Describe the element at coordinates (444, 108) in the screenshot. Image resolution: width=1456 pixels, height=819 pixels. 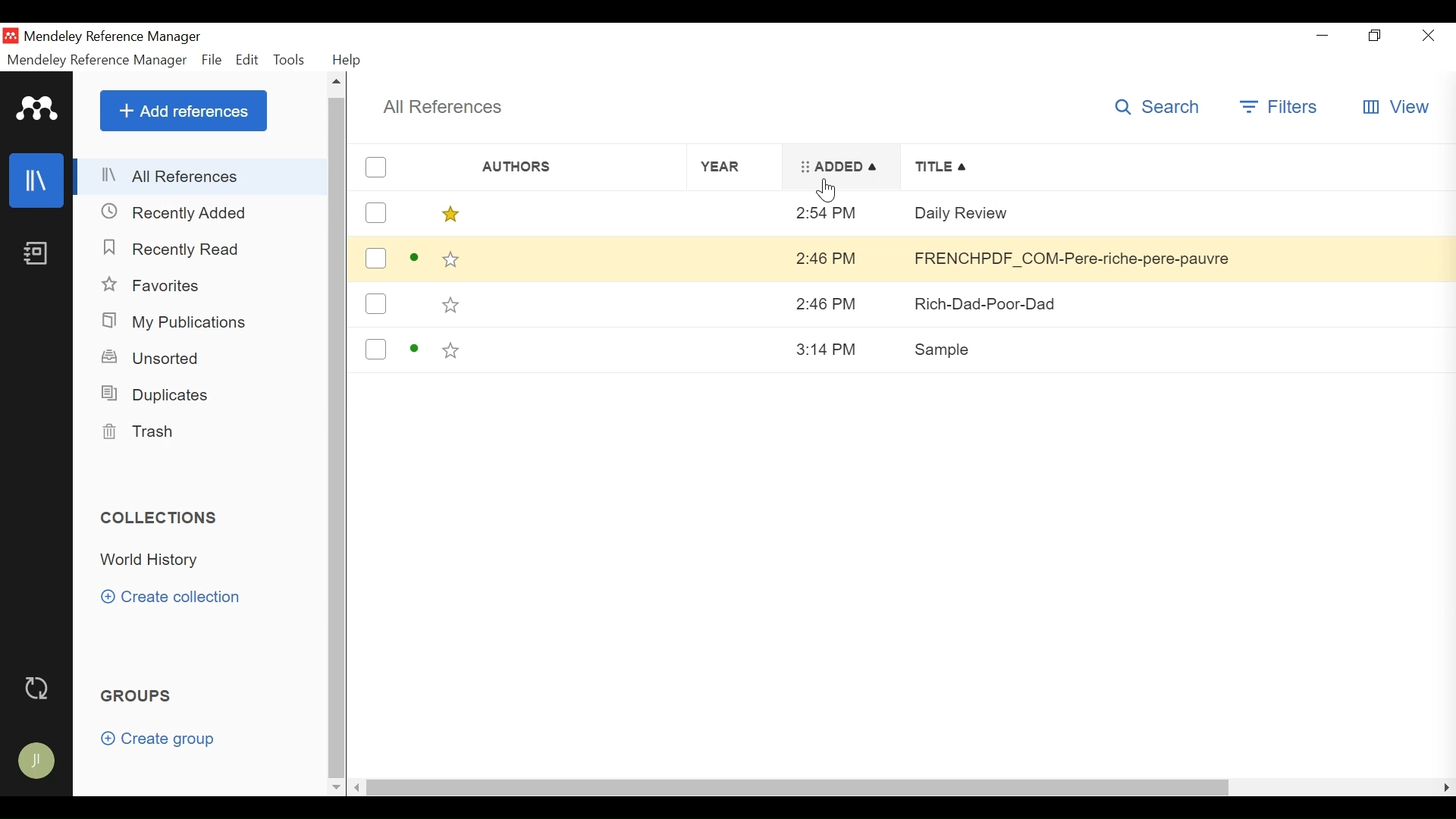
I see `All References` at that location.